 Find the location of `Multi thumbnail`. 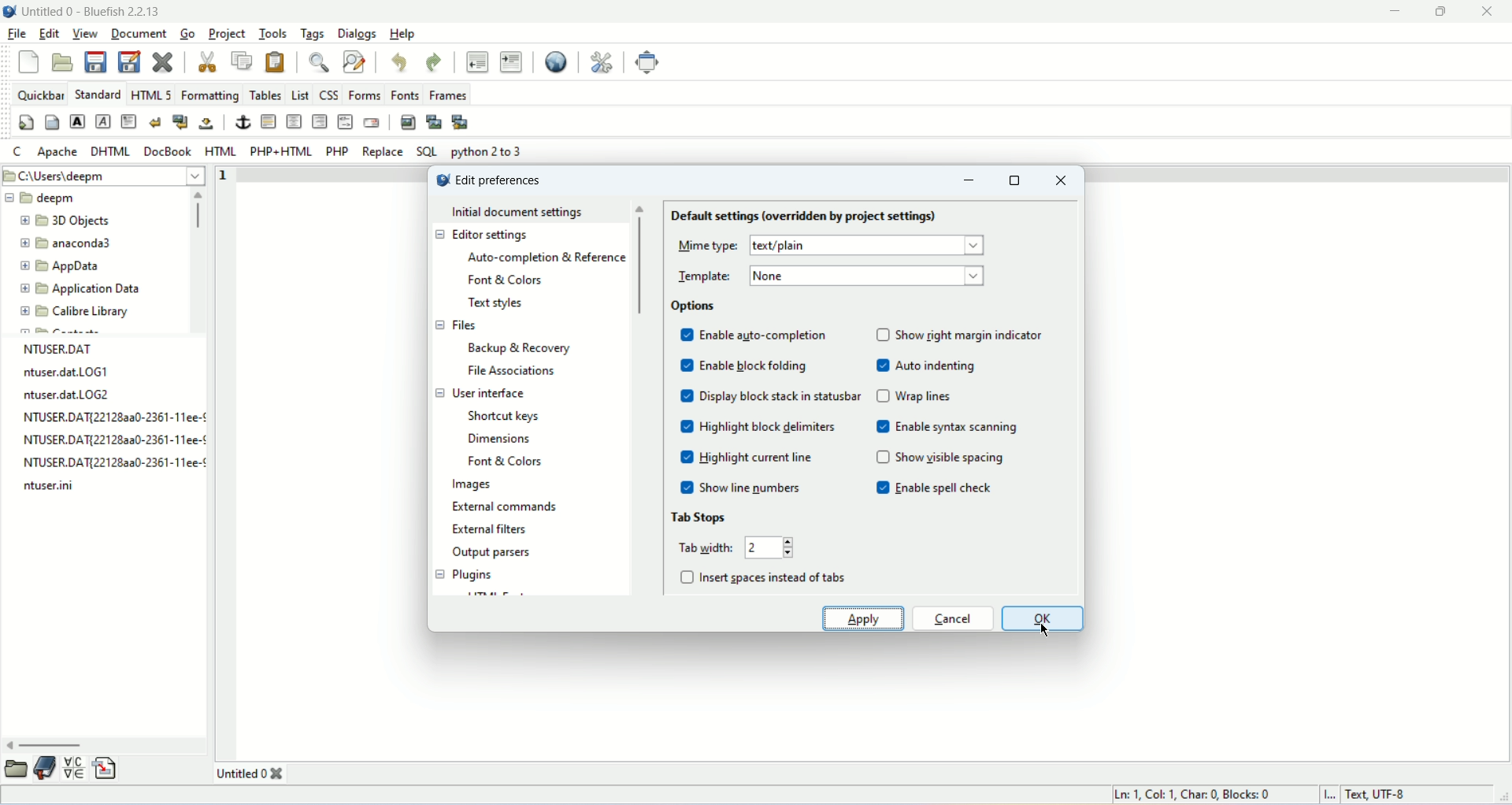

Multi thumbnail is located at coordinates (460, 122).